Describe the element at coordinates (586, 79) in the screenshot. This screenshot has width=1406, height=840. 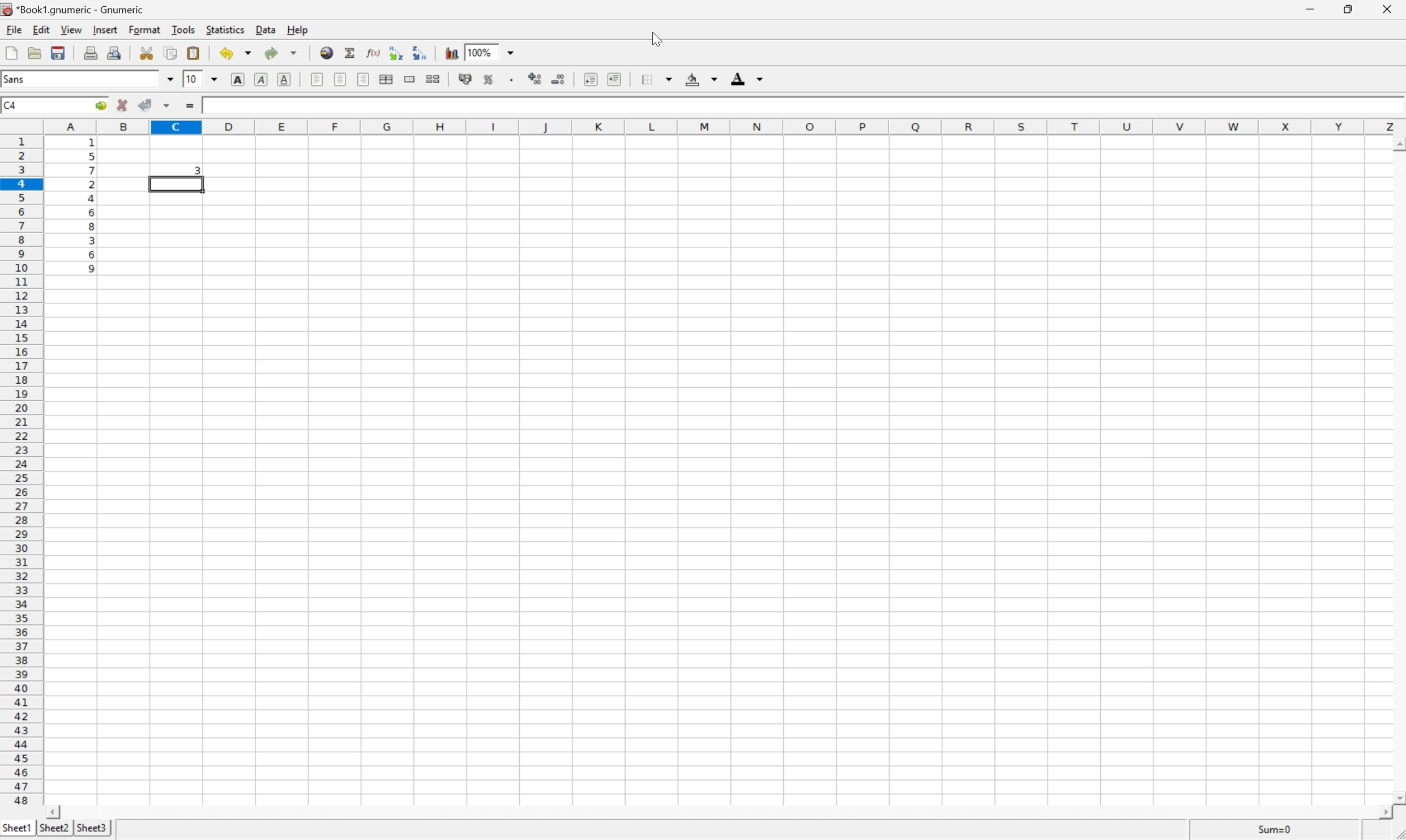
I see `decrease indent` at that location.